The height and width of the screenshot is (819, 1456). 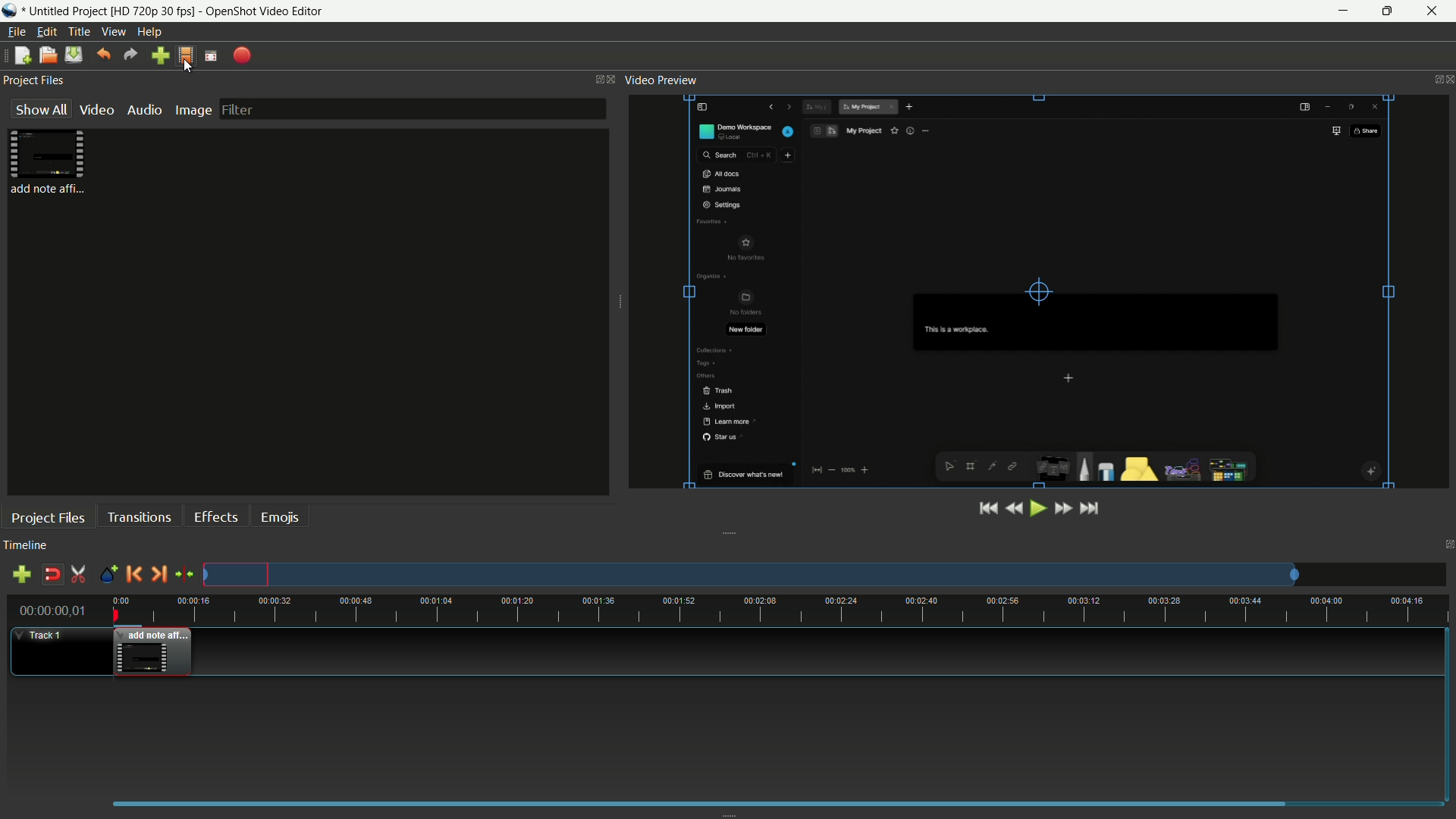 What do you see at coordinates (160, 56) in the screenshot?
I see `import files` at bounding box center [160, 56].